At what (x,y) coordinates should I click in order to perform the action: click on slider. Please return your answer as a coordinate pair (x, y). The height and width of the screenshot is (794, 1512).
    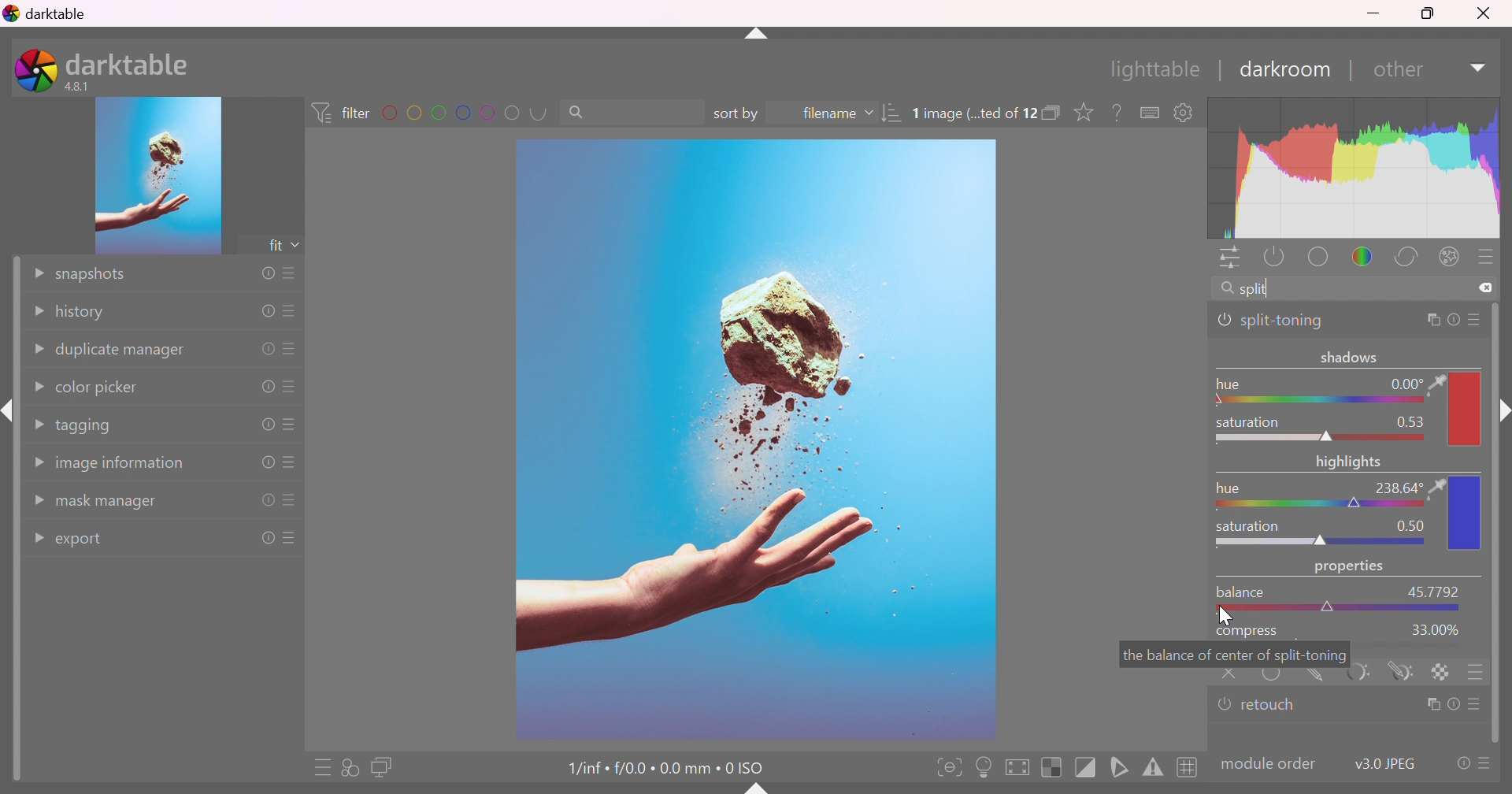
    Looking at the image, I should click on (1325, 438).